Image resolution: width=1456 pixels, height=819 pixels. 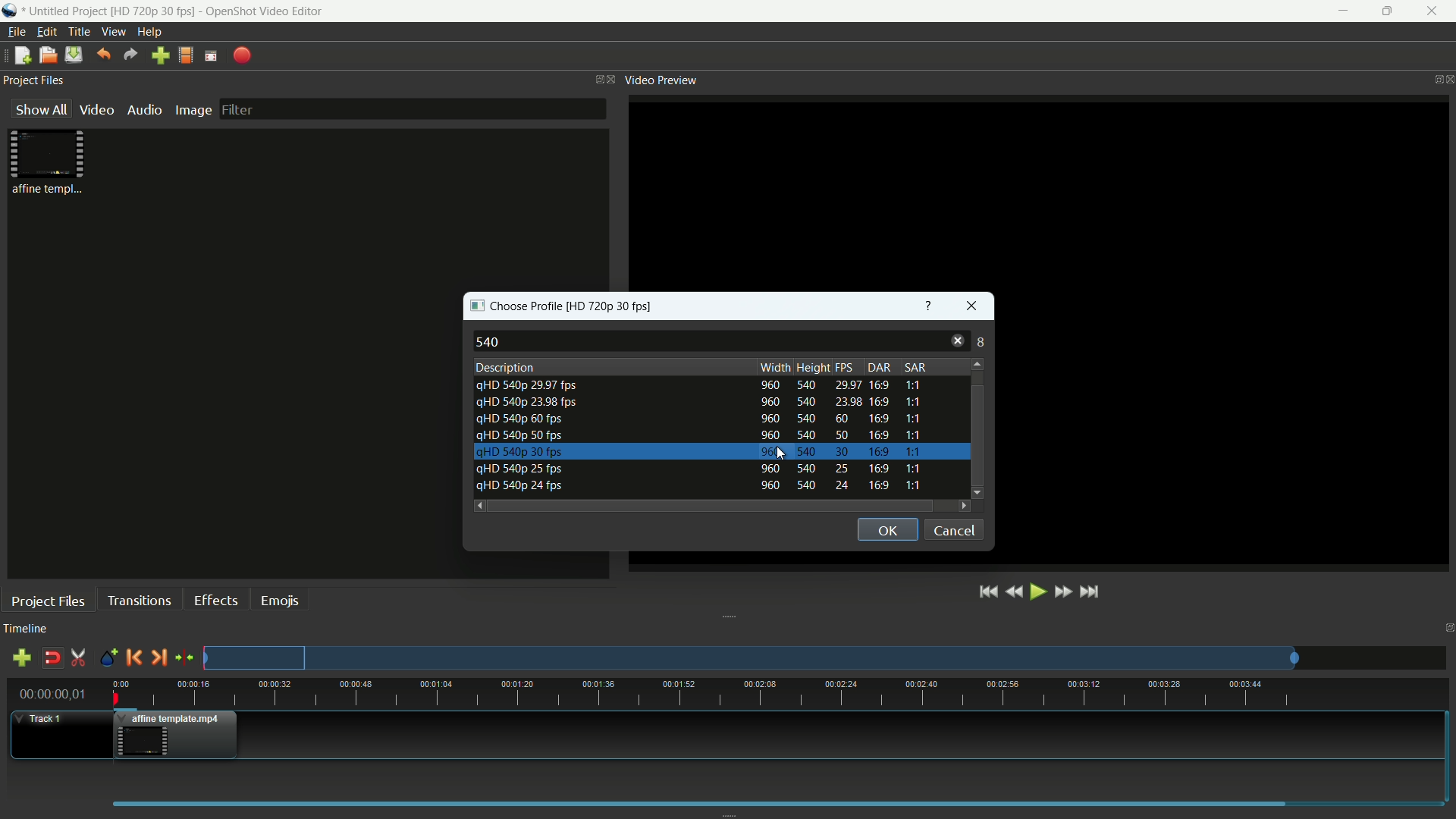 I want to click on transitions, so click(x=138, y=601).